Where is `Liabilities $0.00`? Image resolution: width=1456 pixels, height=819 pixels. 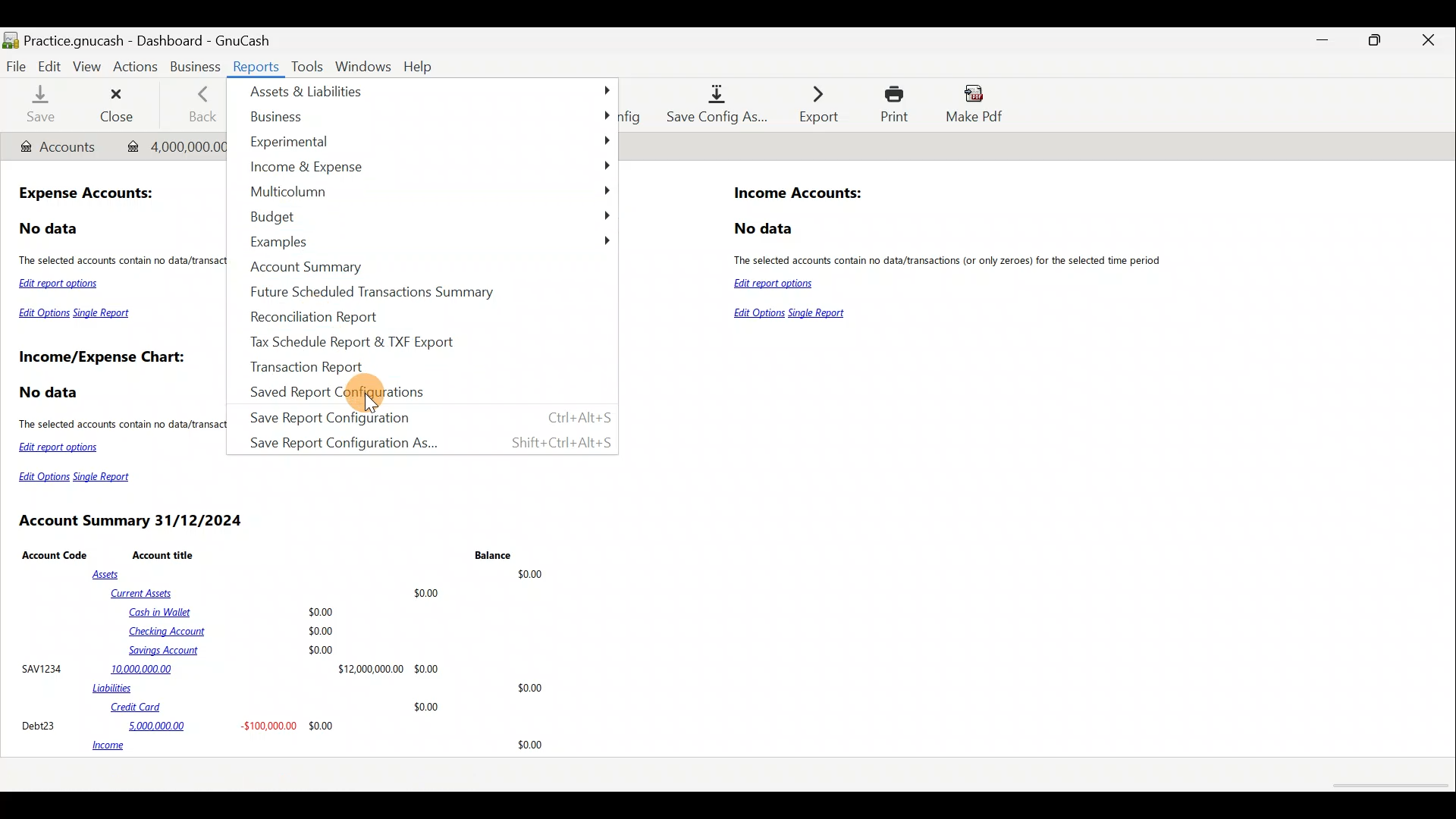 Liabilities $0.00 is located at coordinates (321, 688).